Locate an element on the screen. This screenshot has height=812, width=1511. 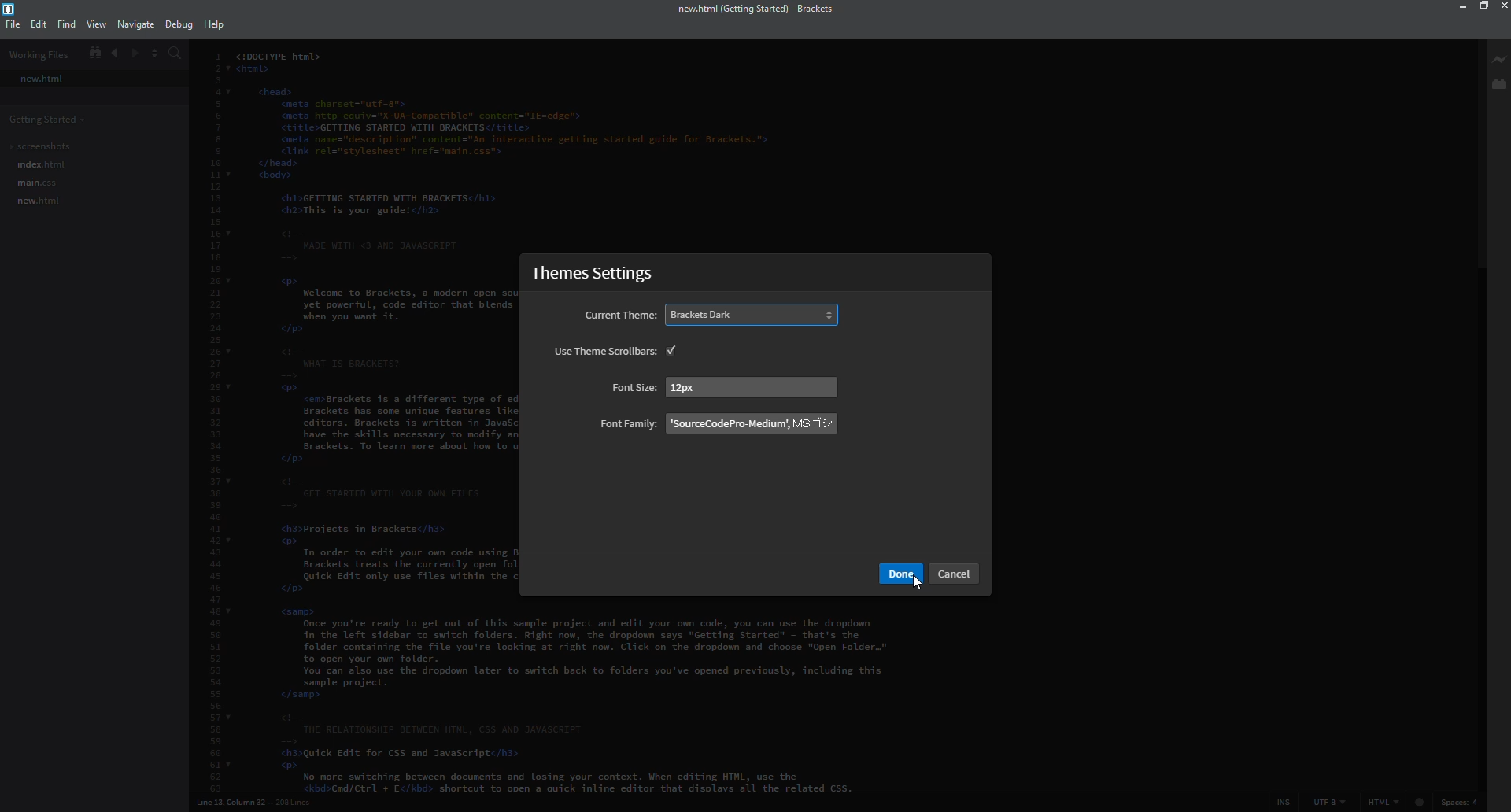
show in file tree is located at coordinates (94, 53).